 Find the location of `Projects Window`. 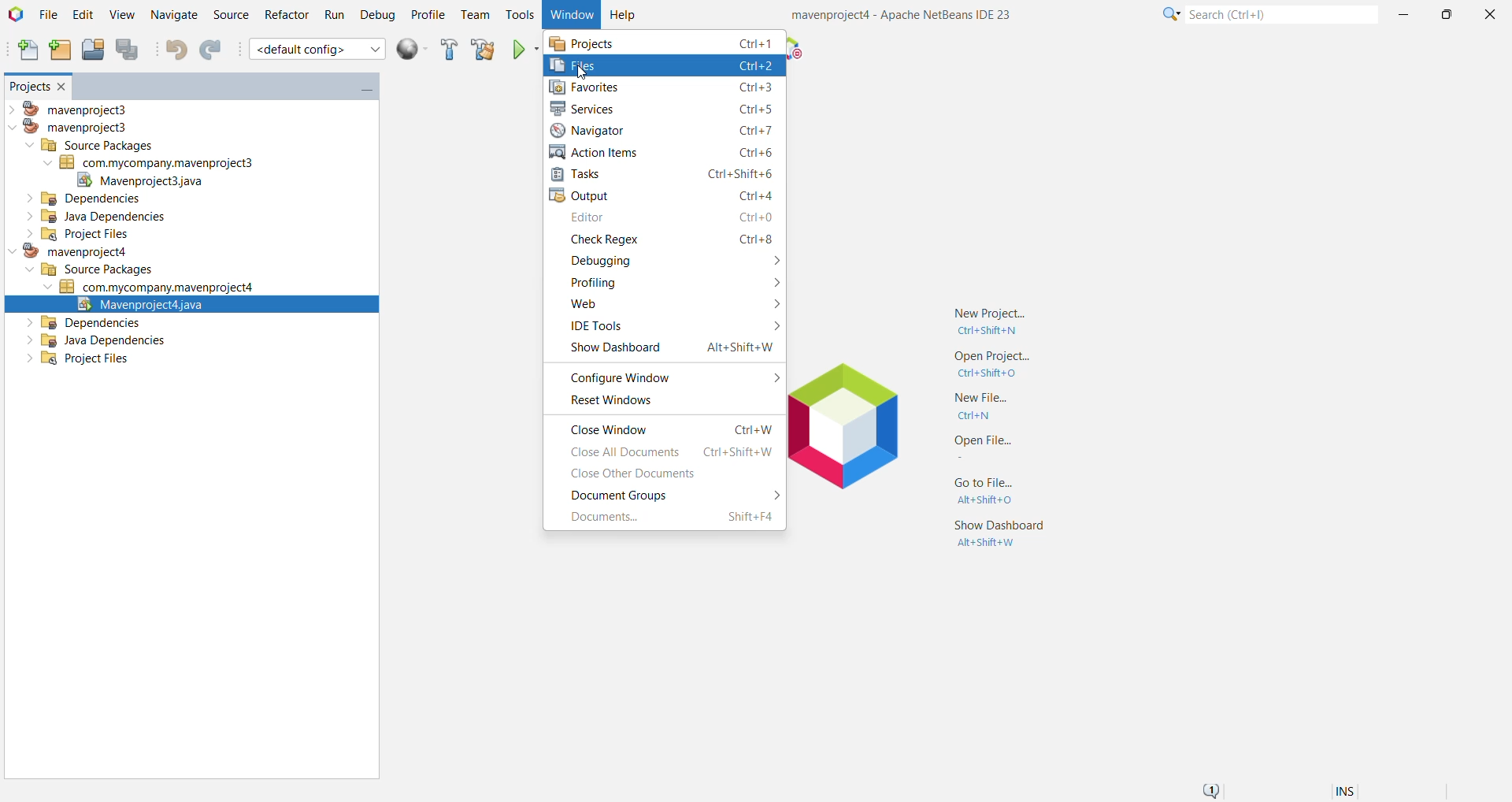

Projects Window is located at coordinates (25, 86).